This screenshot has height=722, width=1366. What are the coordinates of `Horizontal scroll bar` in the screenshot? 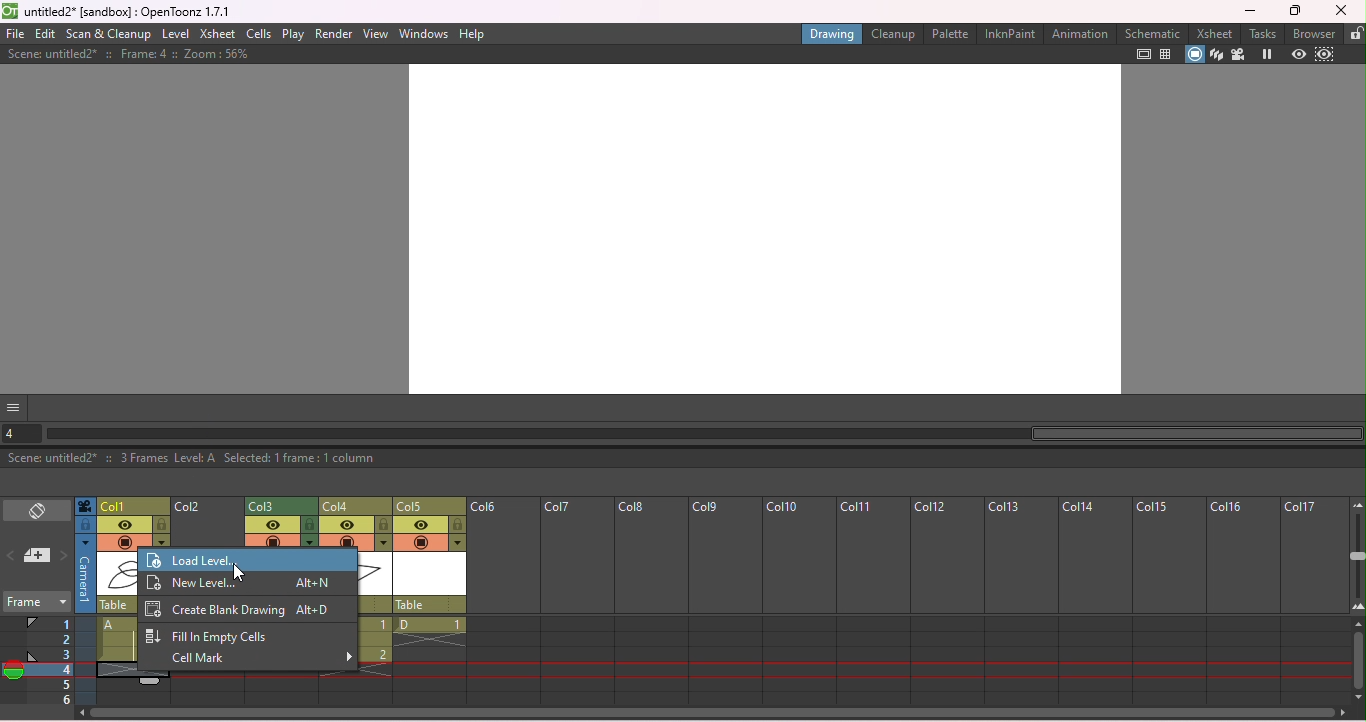 It's located at (705, 434).